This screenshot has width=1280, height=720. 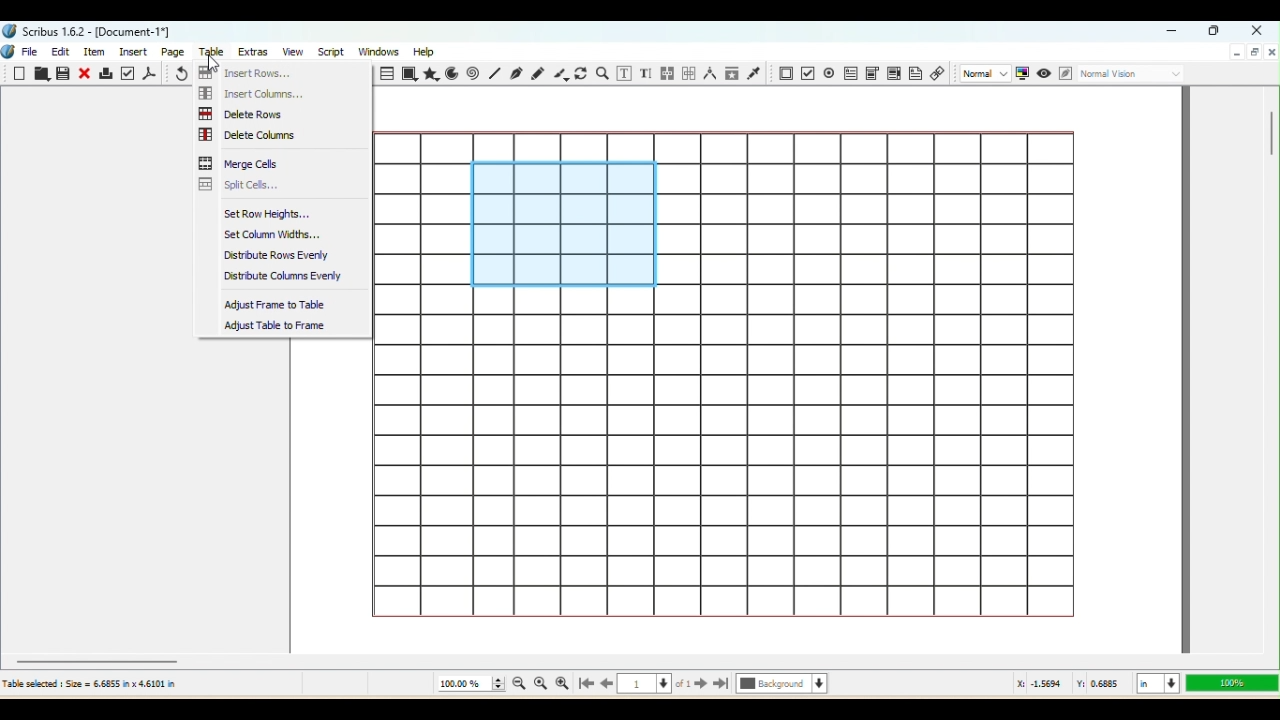 I want to click on Save as PDF, so click(x=151, y=73).